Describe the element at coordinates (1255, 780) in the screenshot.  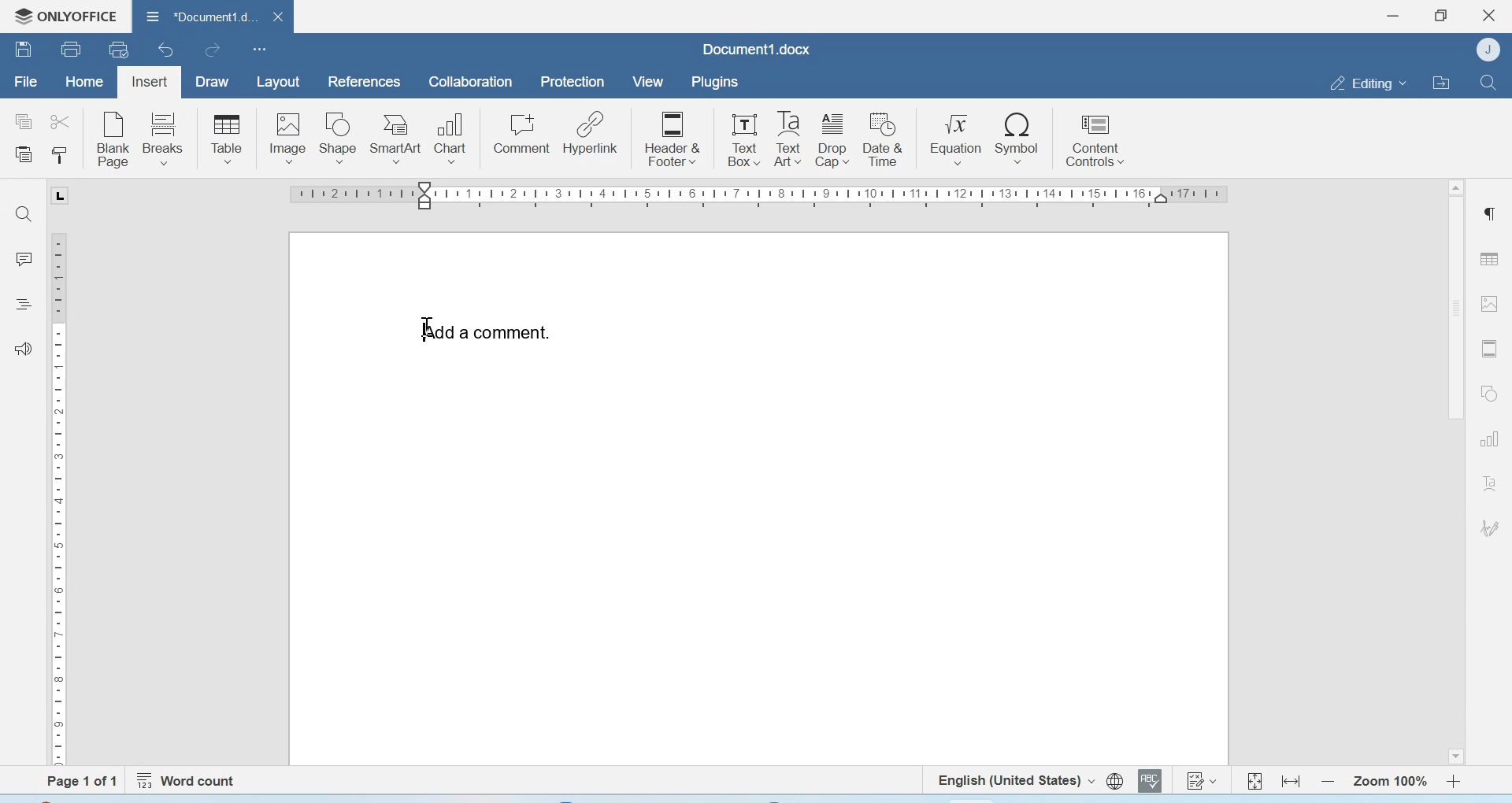
I see `Fit to page` at that location.